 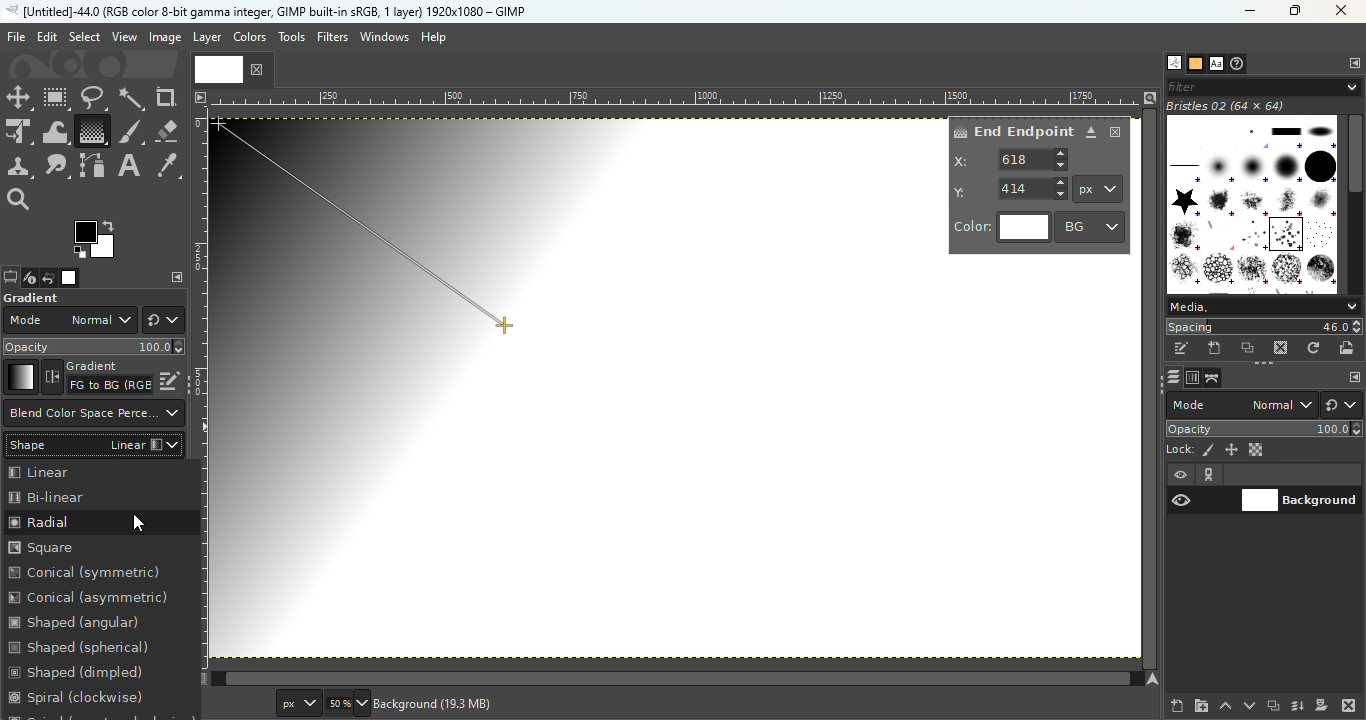 I want to click on Configure this tab, so click(x=177, y=277).